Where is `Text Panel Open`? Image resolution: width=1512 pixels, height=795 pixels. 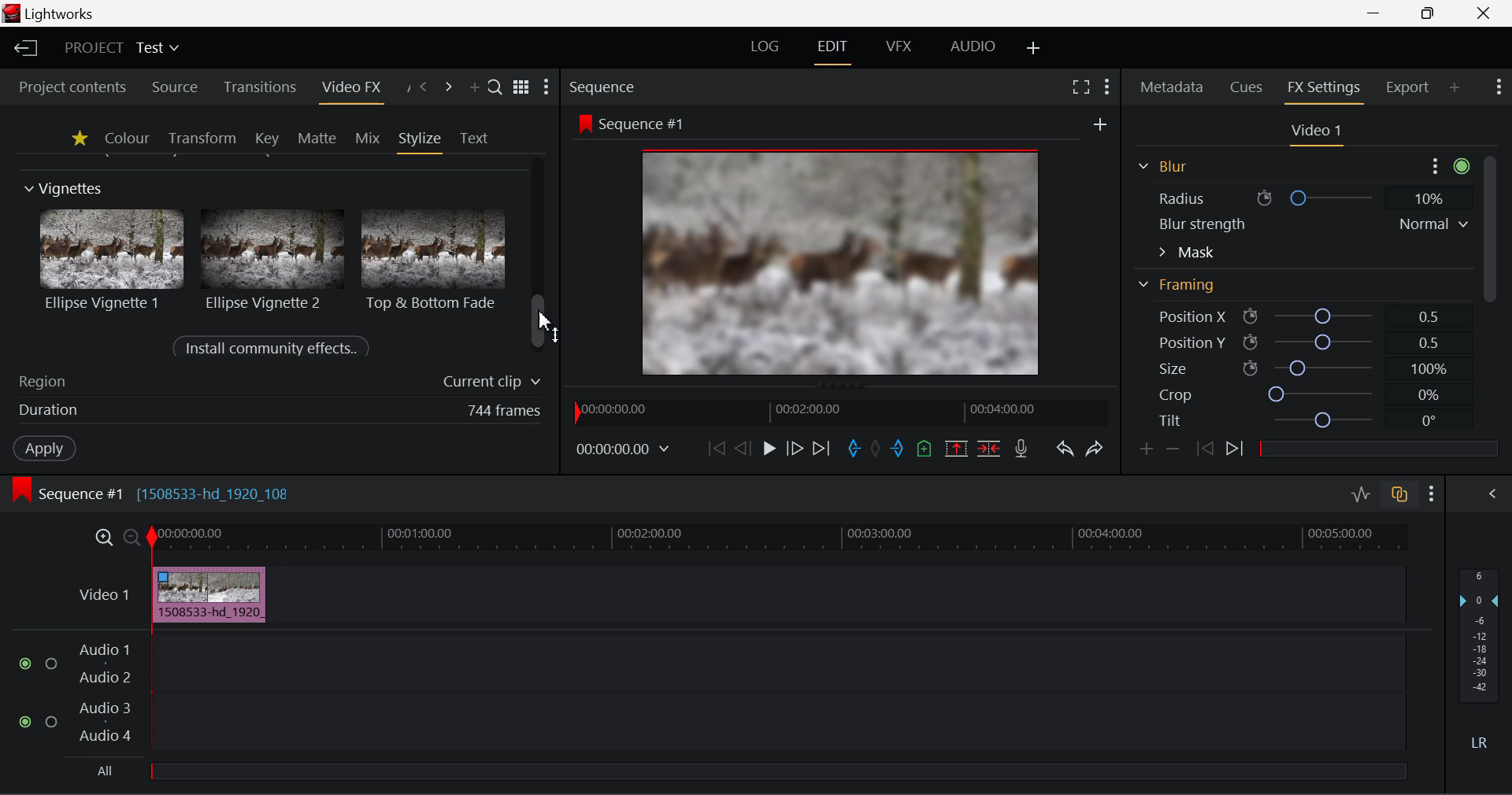
Text Panel Open is located at coordinates (476, 137).